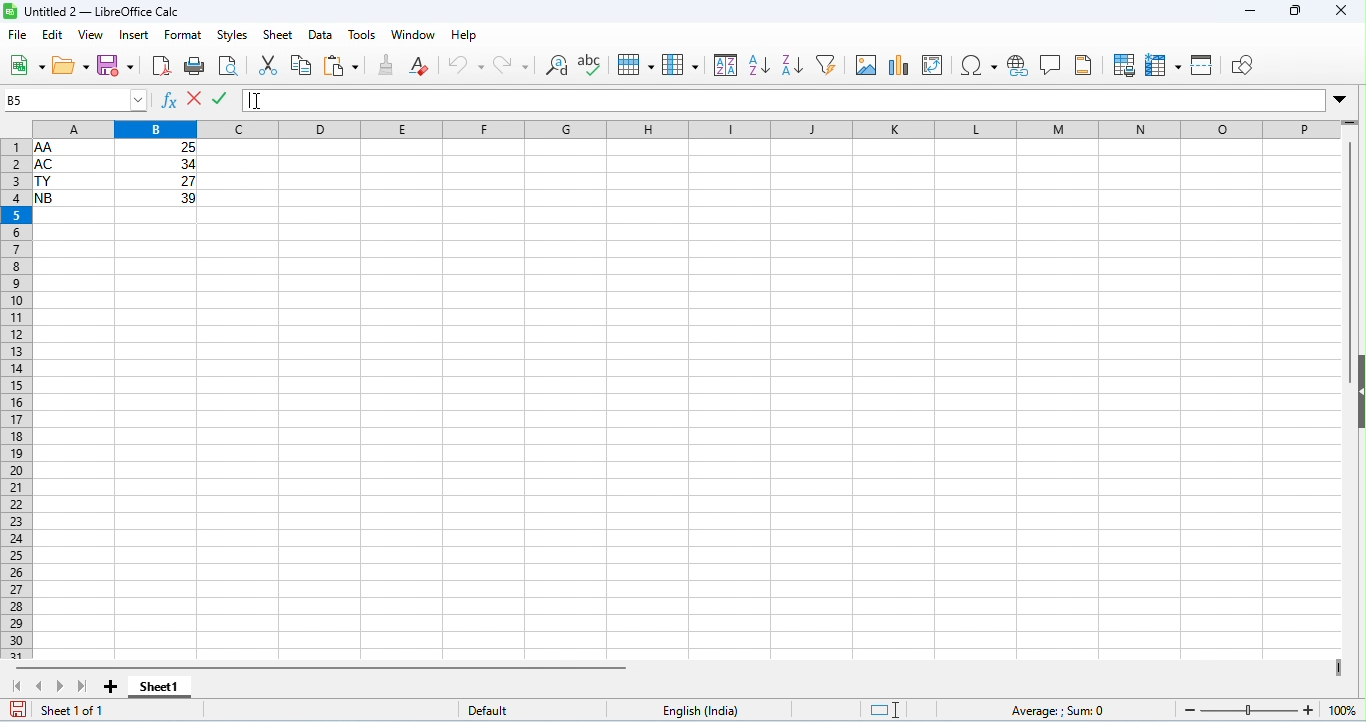  I want to click on horizontal scroll bar, so click(322, 667).